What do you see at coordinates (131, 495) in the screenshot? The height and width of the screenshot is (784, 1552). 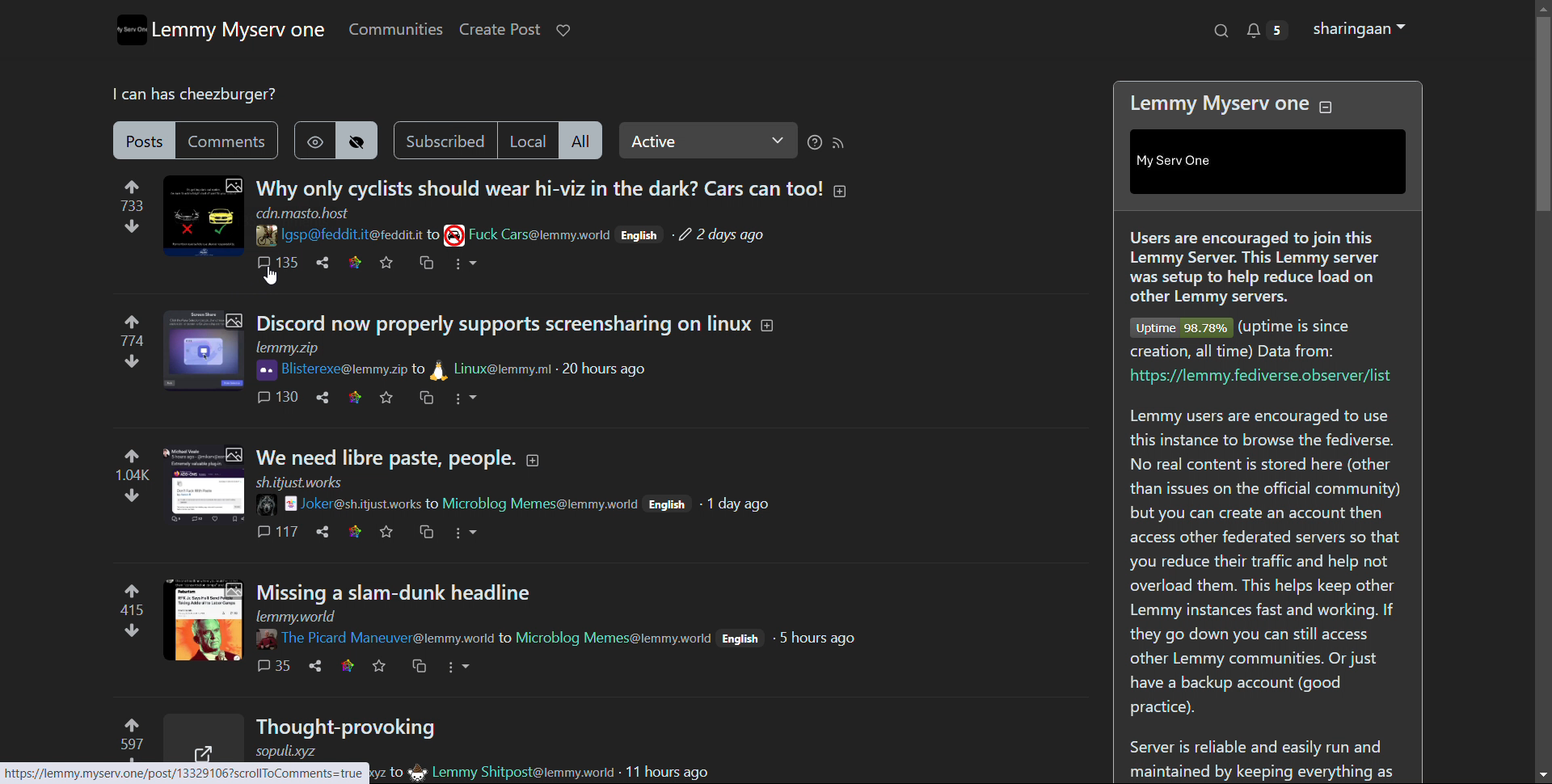 I see `downvote` at bounding box center [131, 495].